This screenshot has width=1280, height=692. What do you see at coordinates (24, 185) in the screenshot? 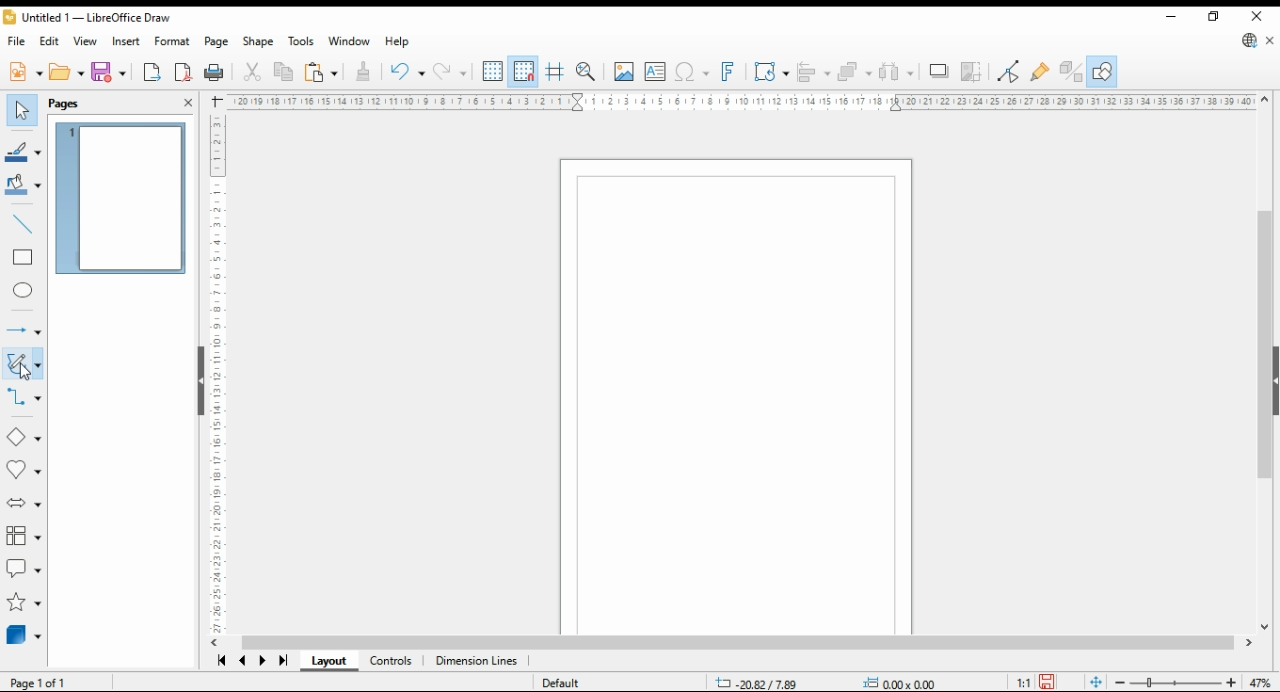
I see `fill color` at bounding box center [24, 185].